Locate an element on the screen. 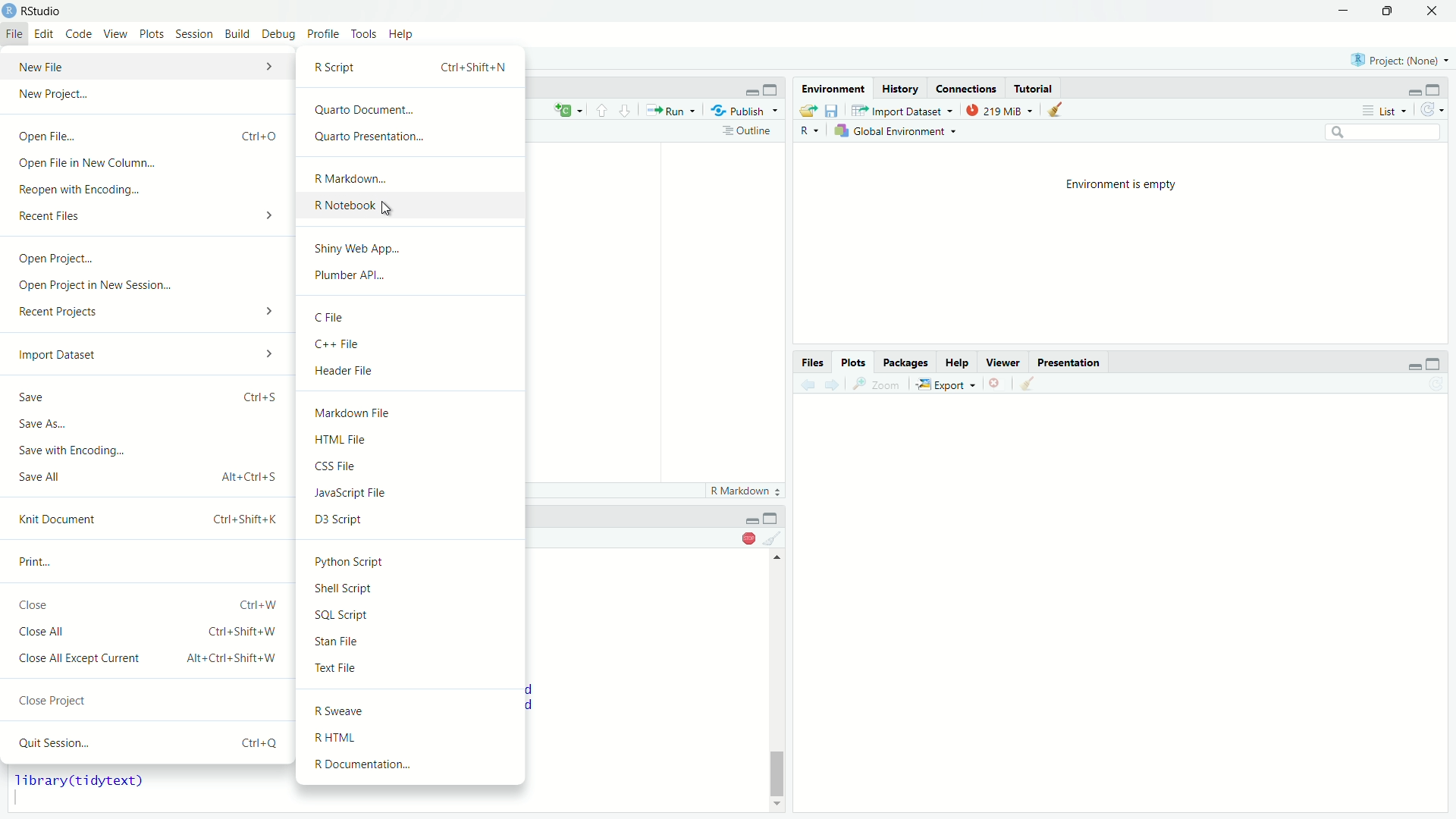 The image size is (1456, 819). vertical slider is located at coordinates (779, 768).